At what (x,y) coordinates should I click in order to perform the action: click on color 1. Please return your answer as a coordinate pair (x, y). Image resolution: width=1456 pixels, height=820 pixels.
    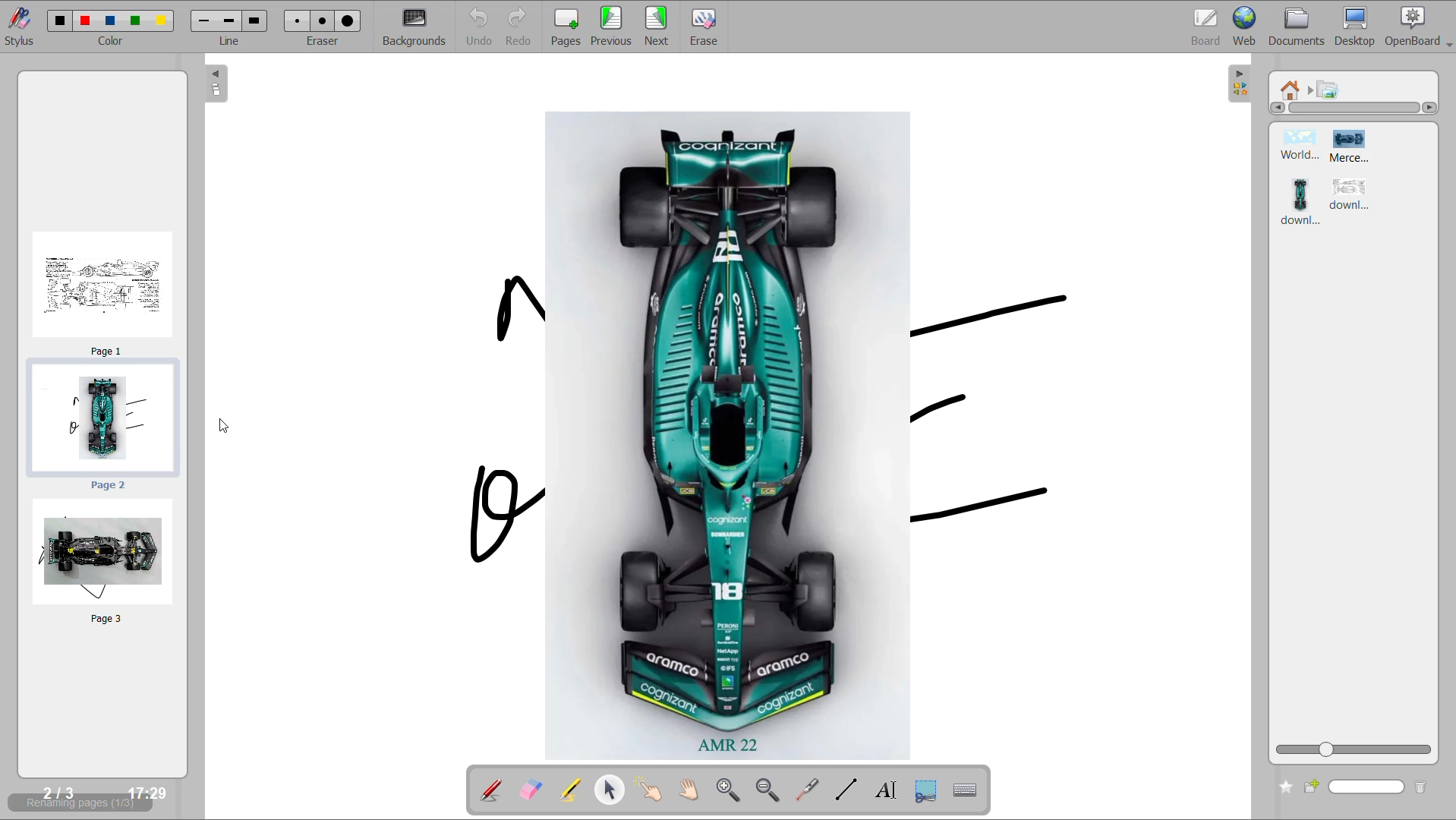
    Looking at the image, I should click on (59, 19).